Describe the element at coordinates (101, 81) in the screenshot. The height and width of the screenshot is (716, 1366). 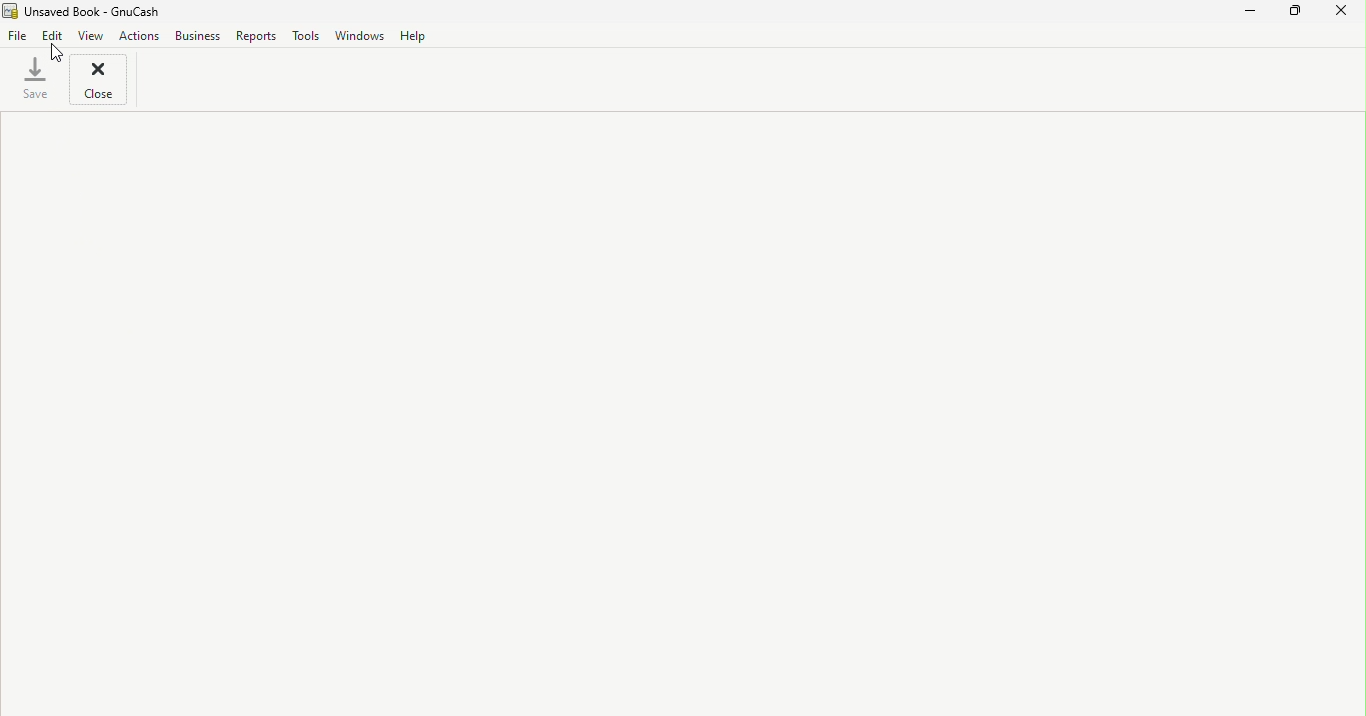
I see `Close` at that location.